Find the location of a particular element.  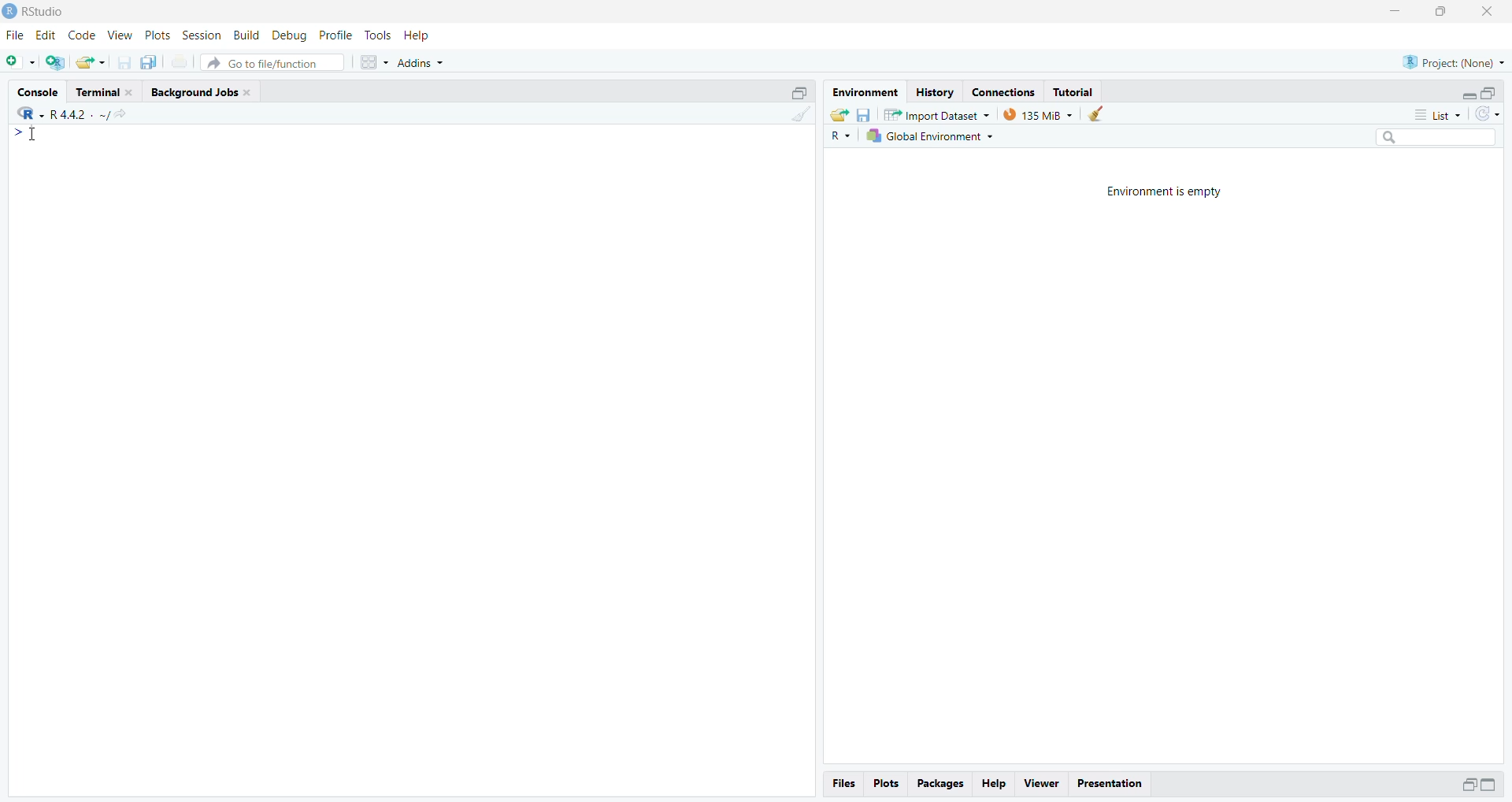

Maximize is located at coordinates (1439, 12).